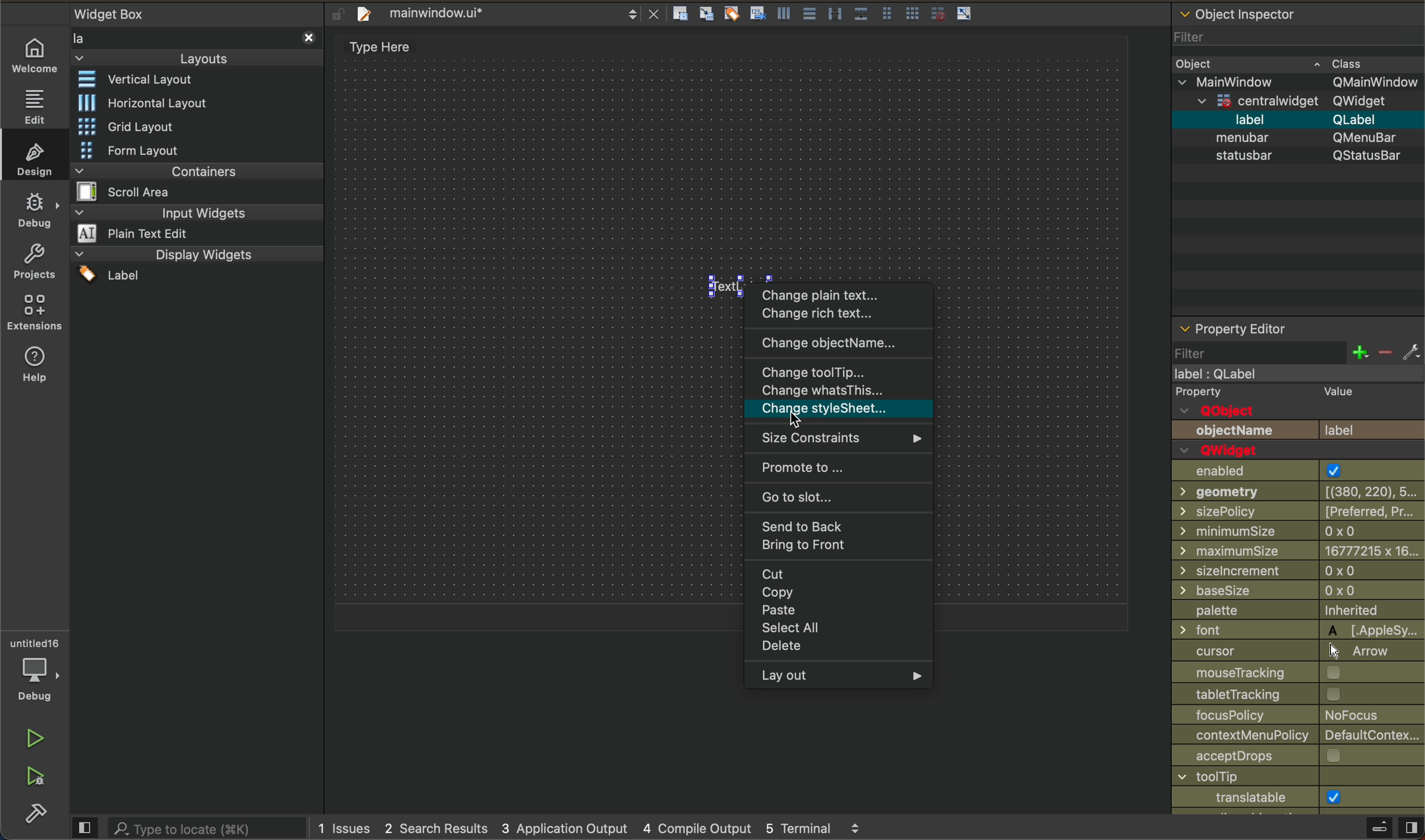  Describe the element at coordinates (563, 829) in the screenshot. I see `application output` at that location.